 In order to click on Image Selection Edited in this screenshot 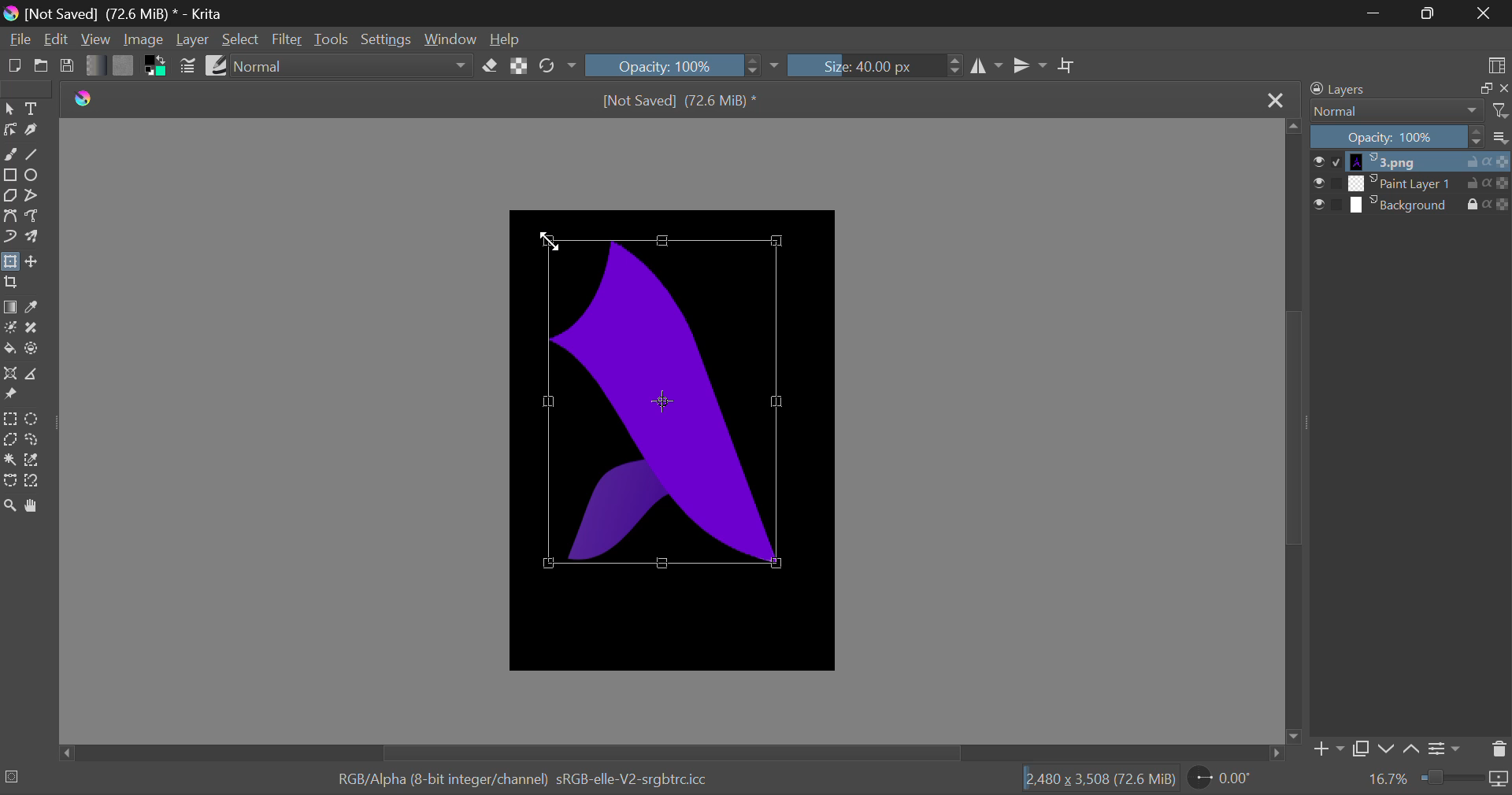, I will do `click(675, 404)`.